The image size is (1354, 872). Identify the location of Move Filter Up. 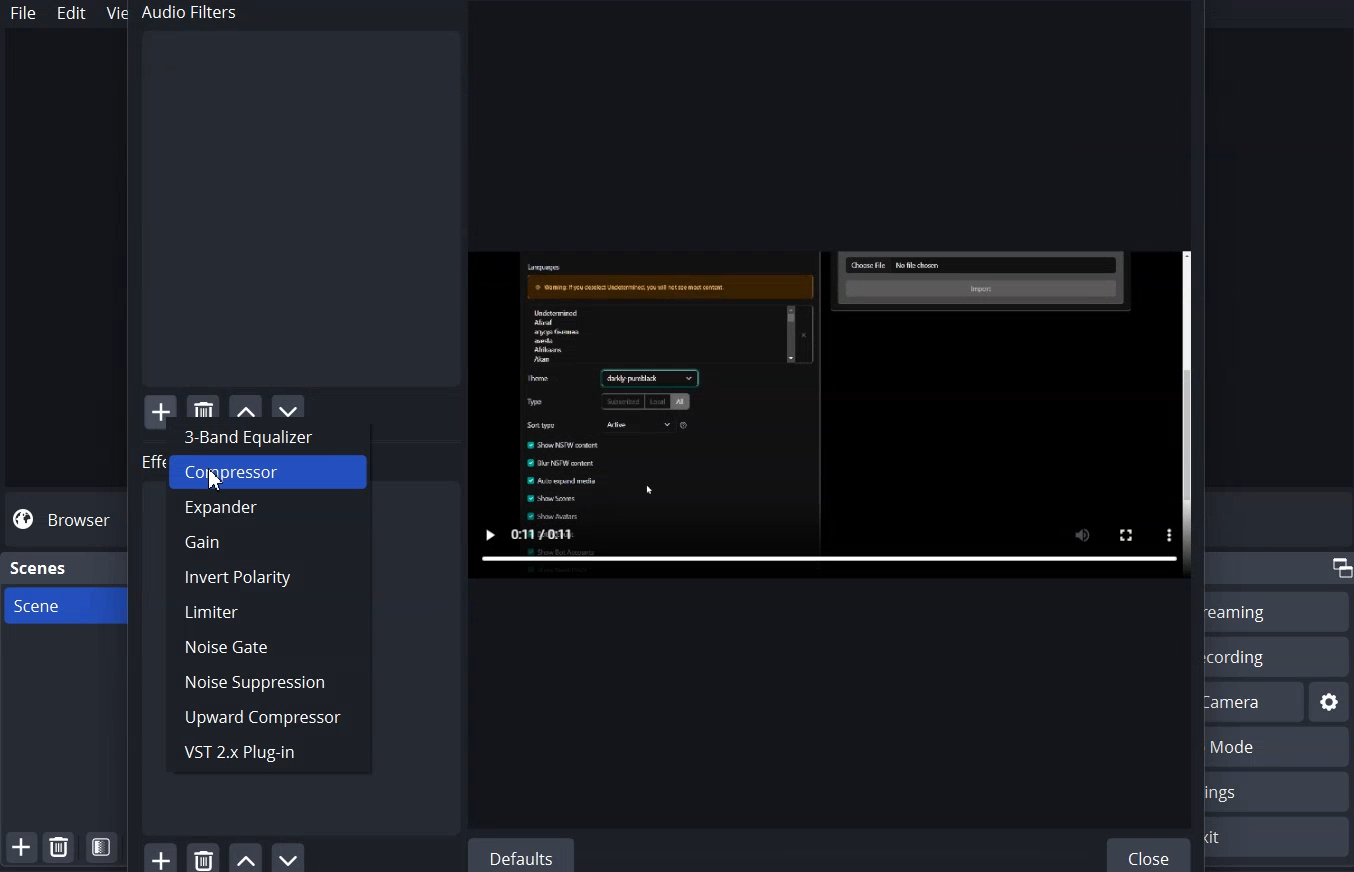
(246, 857).